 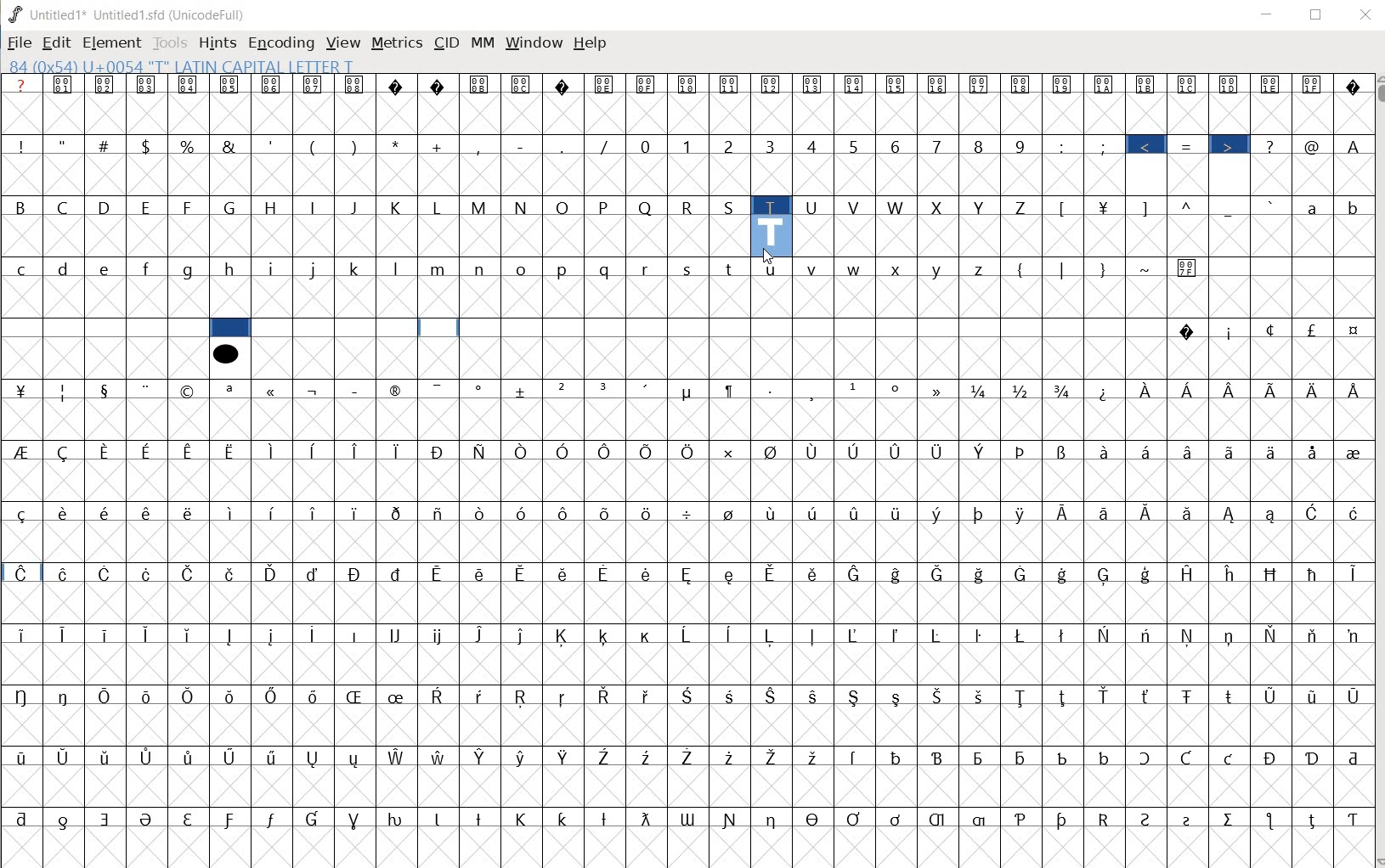 I want to click on Symbol, so click(x=939, y=573).